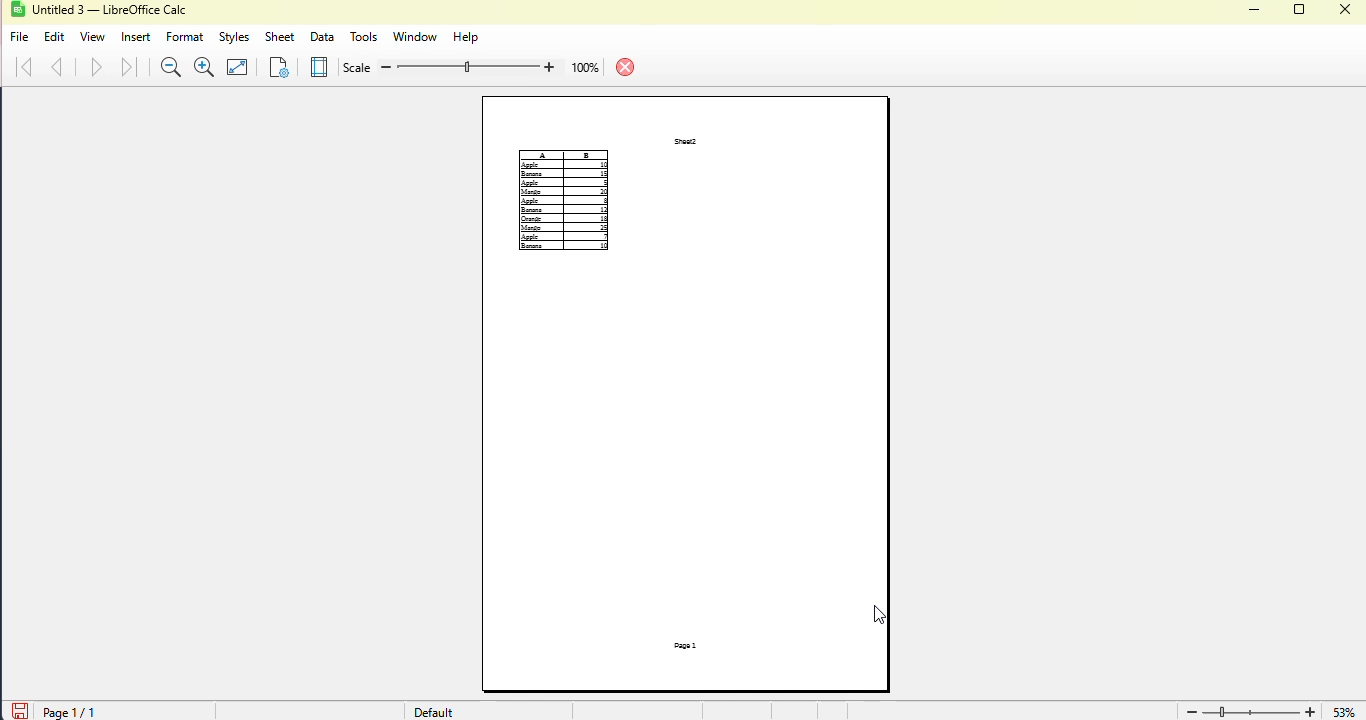 Image resolution: width=1366 pixels, height=720 pixels. I want to click on view, so click(92, 37).